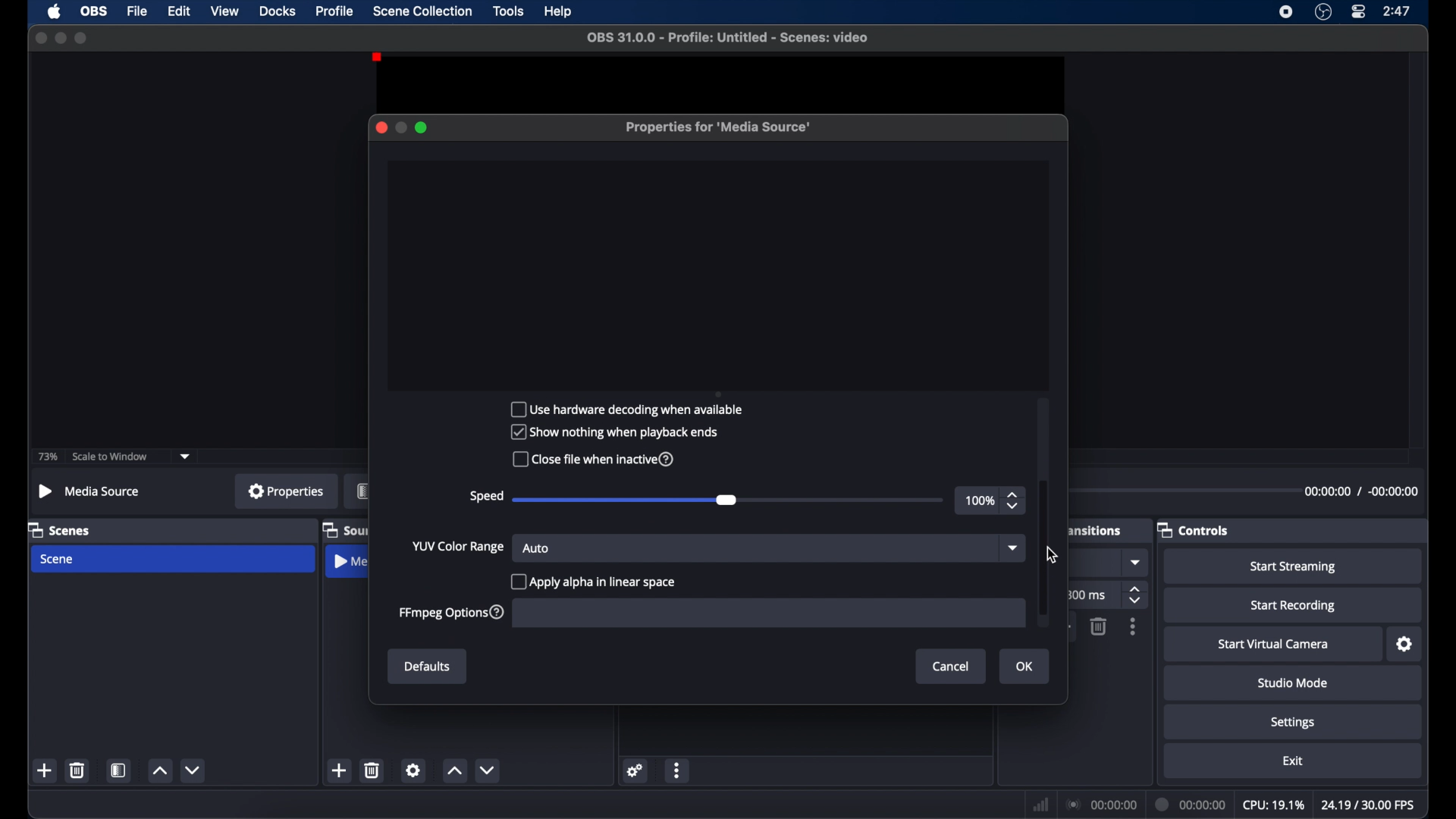  I want to click on settings, so click(1293, 723).